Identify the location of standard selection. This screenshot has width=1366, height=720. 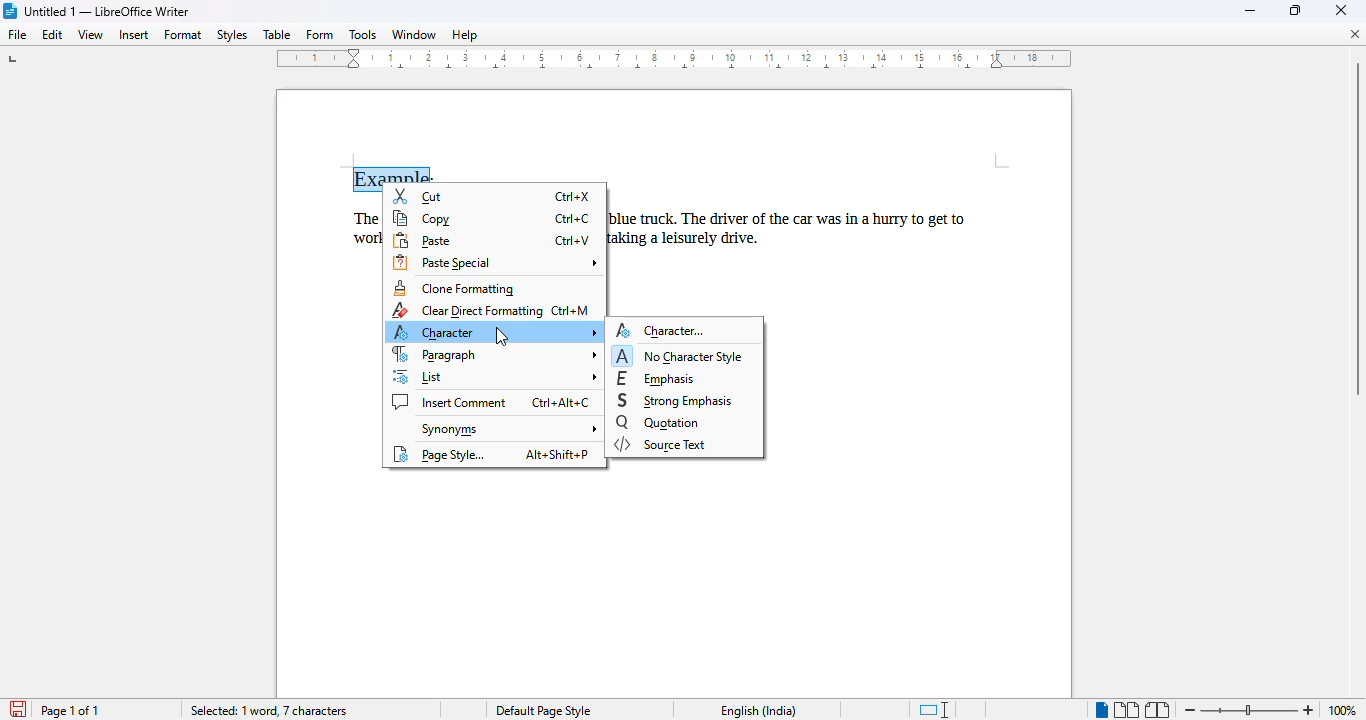
(933, 710).